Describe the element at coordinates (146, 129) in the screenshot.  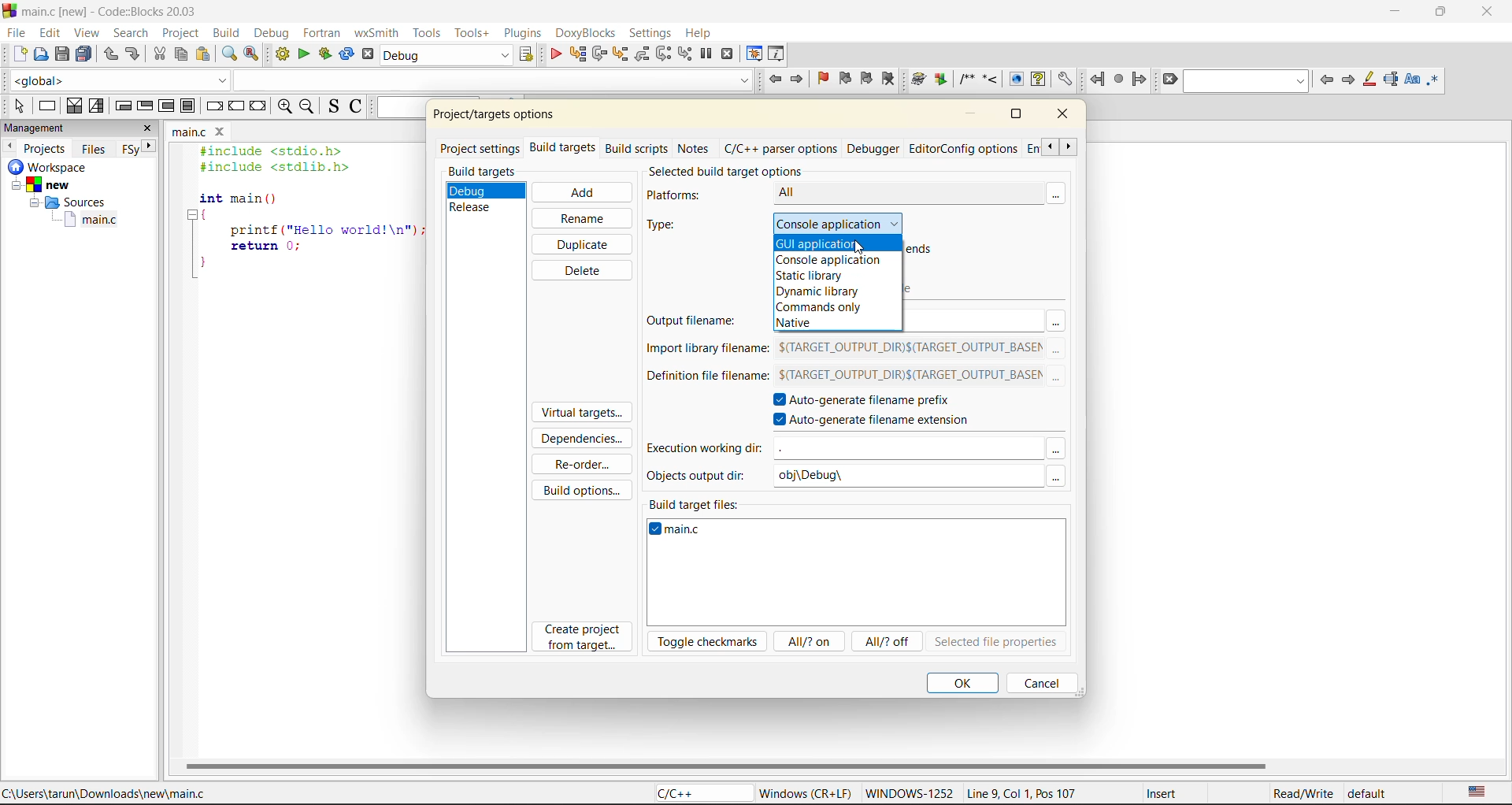
I see `close` at that location.